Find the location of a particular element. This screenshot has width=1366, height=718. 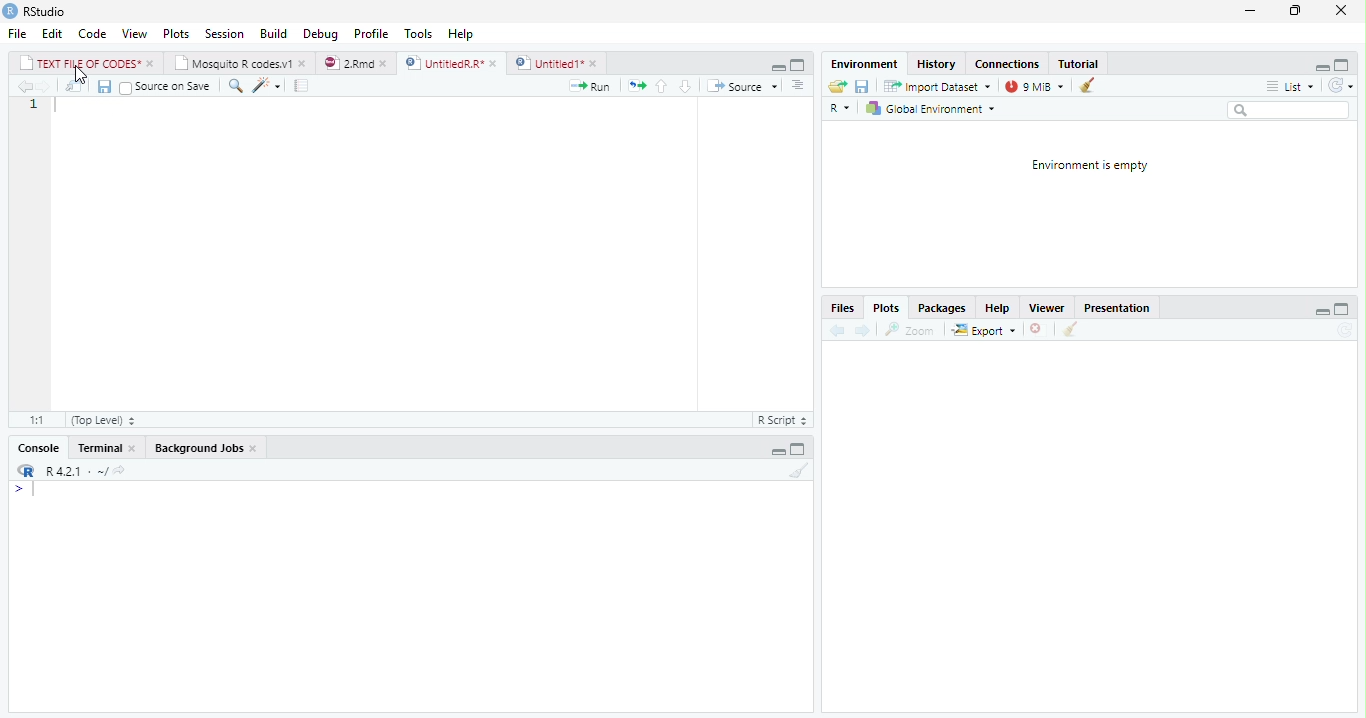

1:1 is located at coordinates (35, 422).